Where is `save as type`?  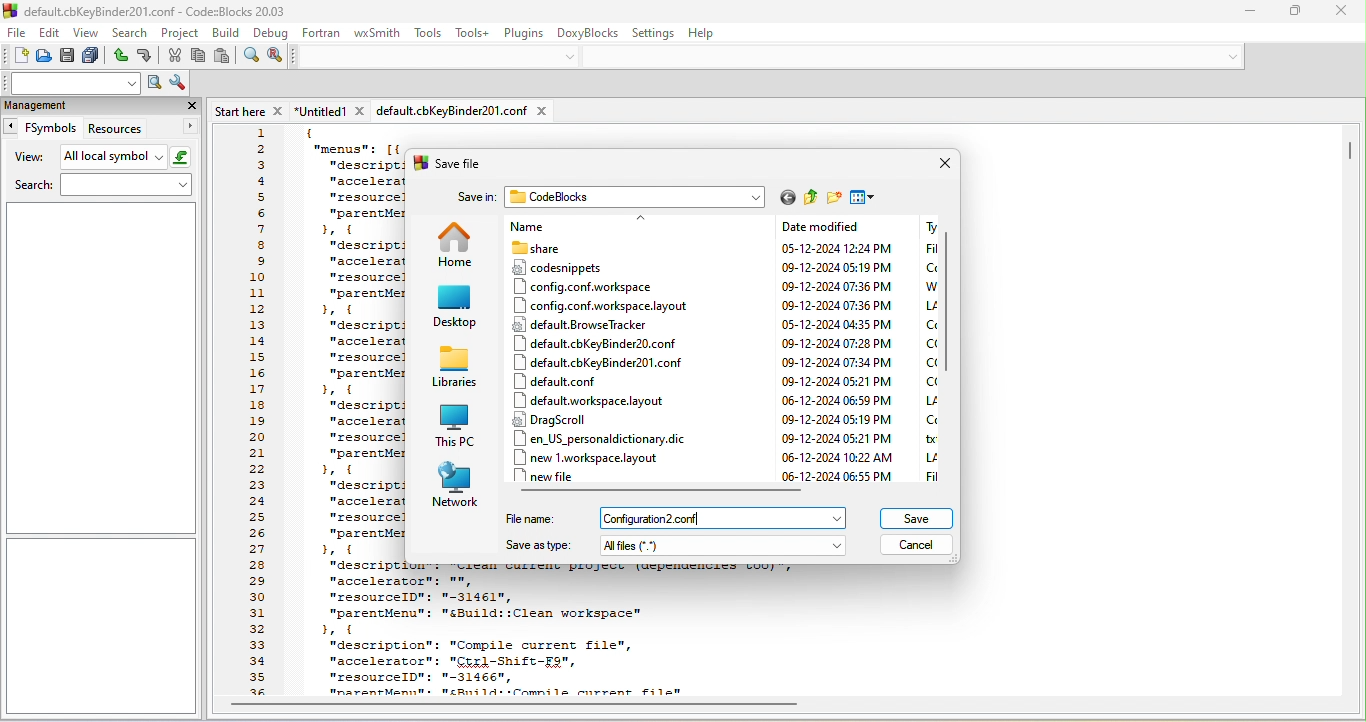 save as type is located at coordinates (728, 546).